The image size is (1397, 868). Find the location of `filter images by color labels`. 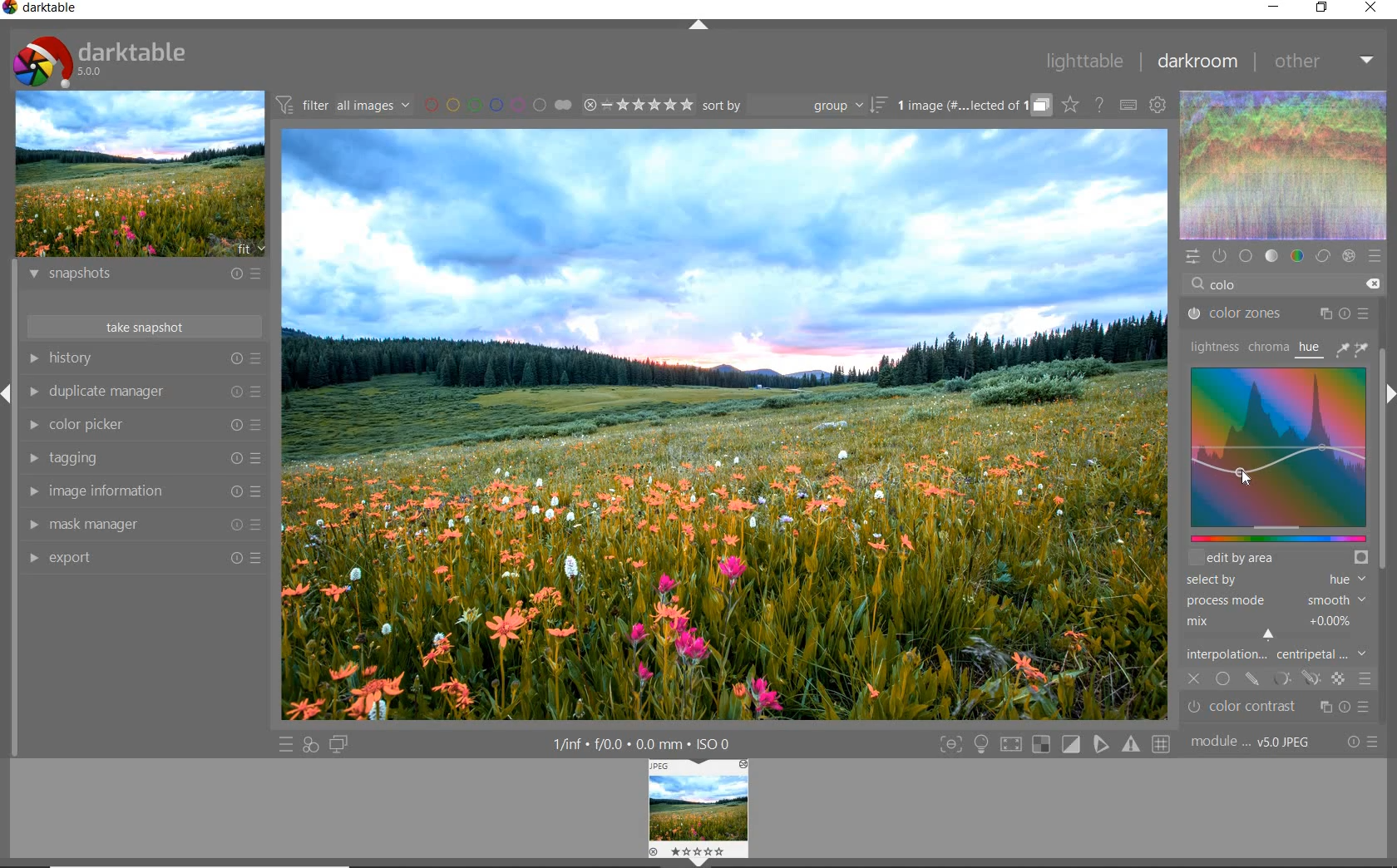

filter images by color labels is located at coordinates (496, 105).